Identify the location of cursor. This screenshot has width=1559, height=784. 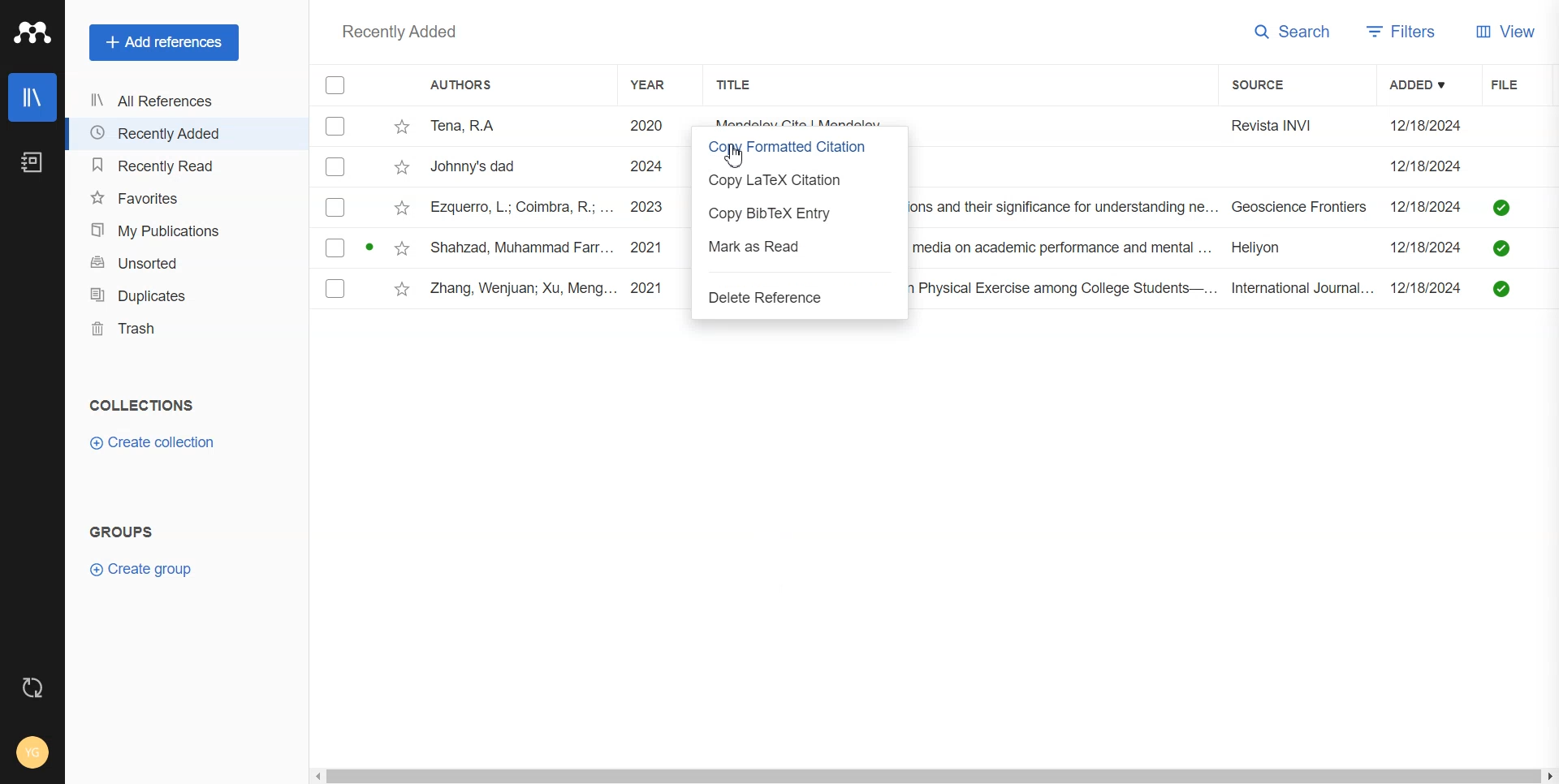
(736, 158).